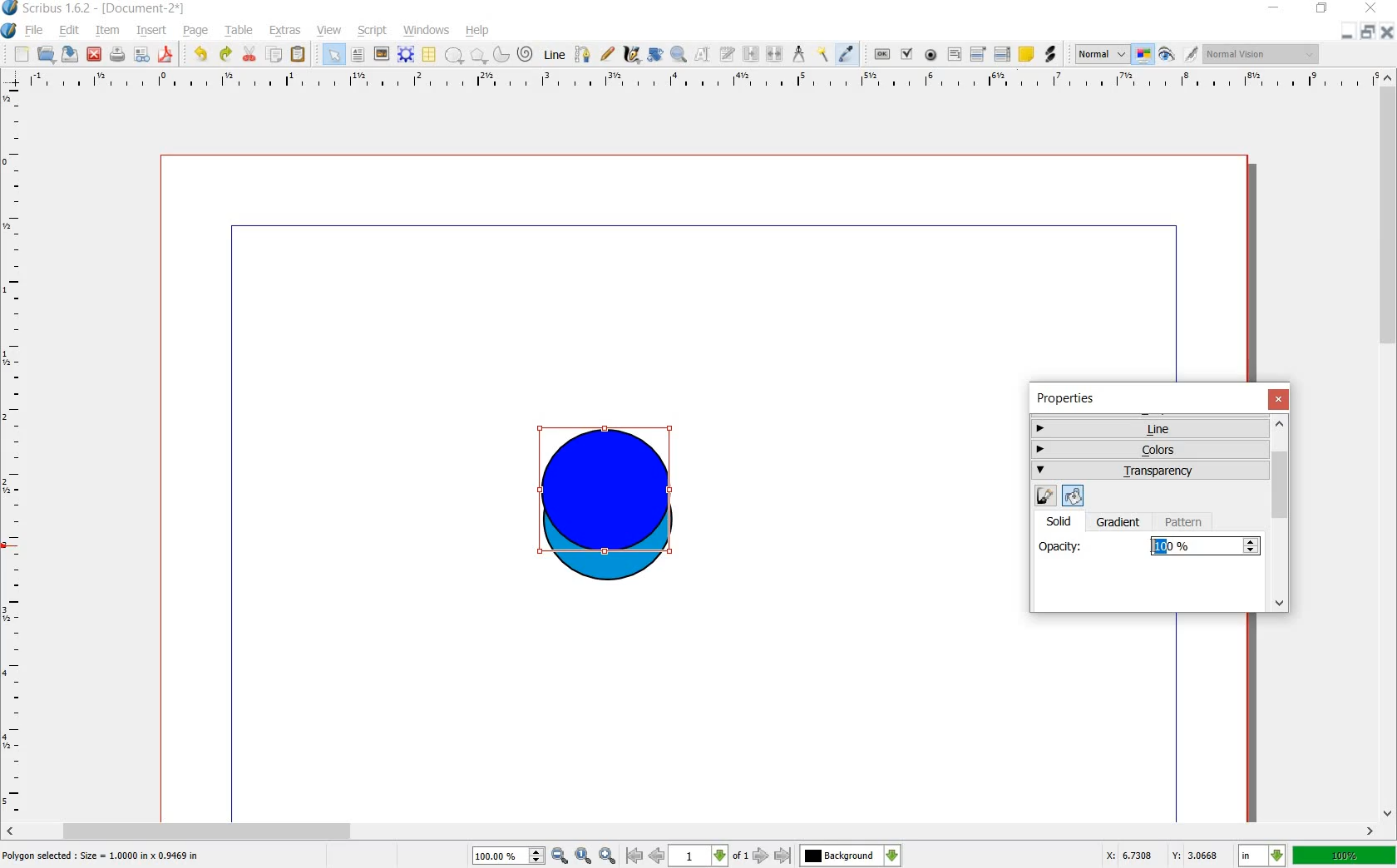  I want to click on normal vision, so click(1261, 55).